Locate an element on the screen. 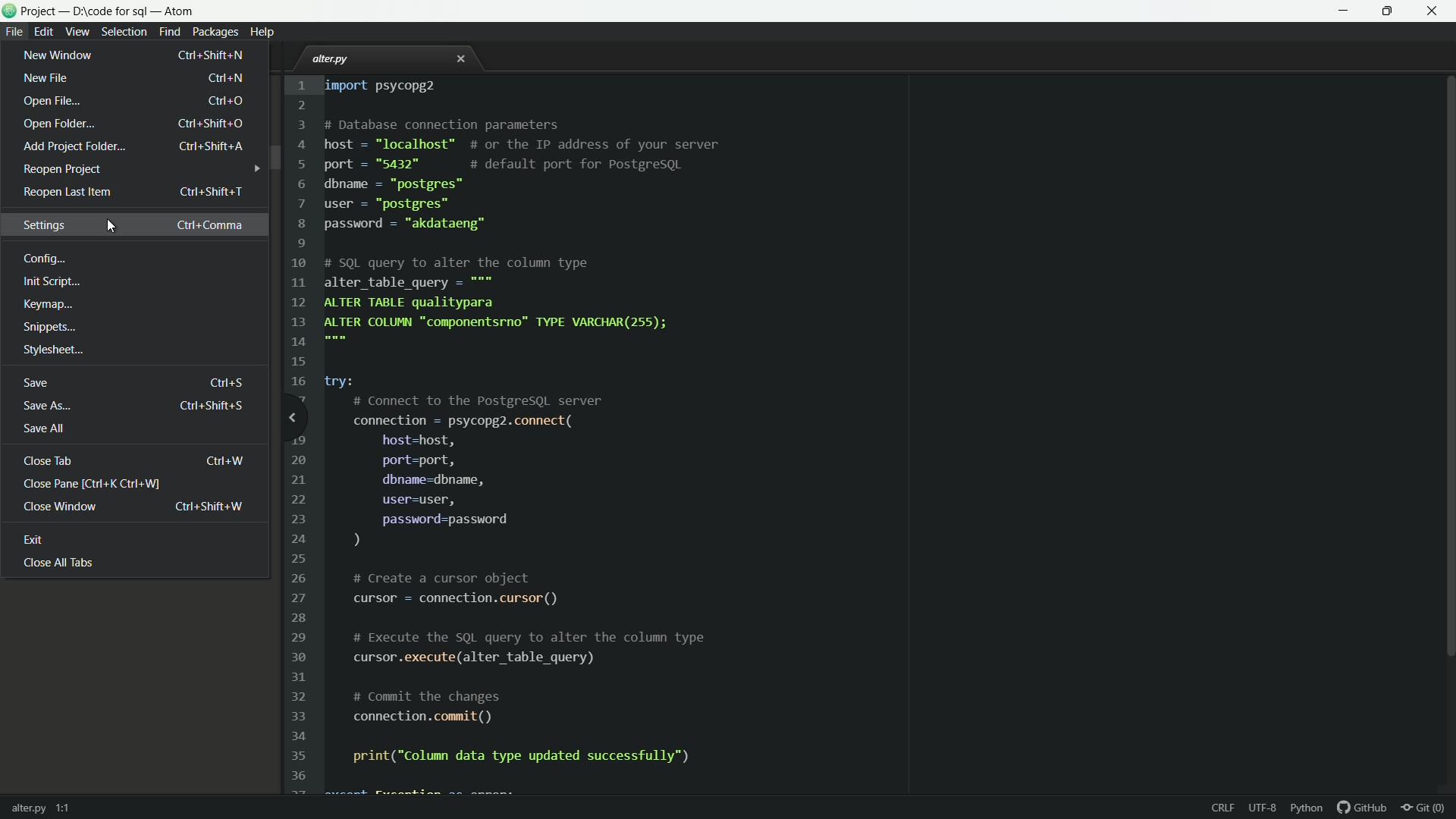  row number is located at coordinates (297, 434).